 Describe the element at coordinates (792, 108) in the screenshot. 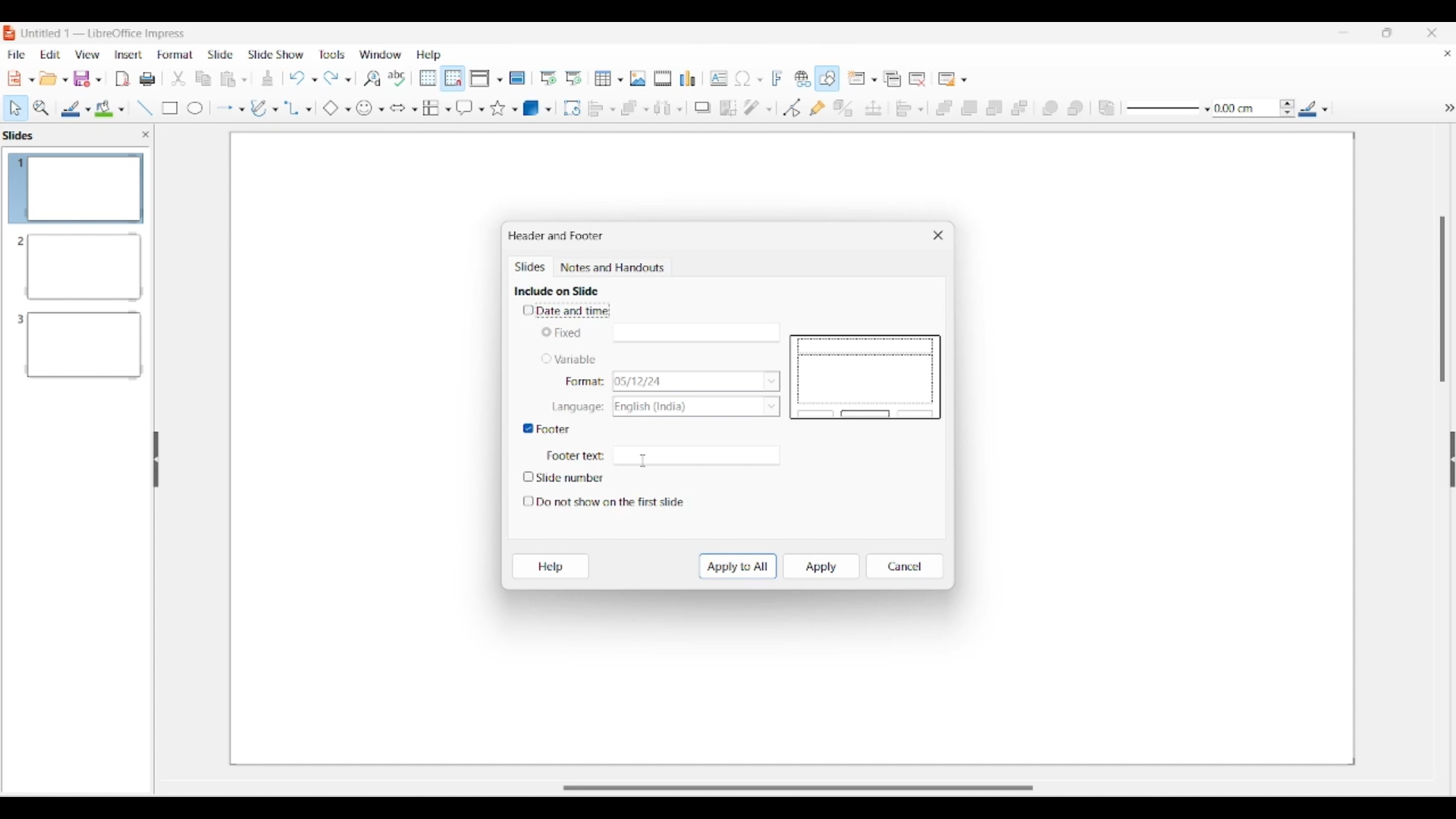

I see `Toggle point edit mode` at that location.